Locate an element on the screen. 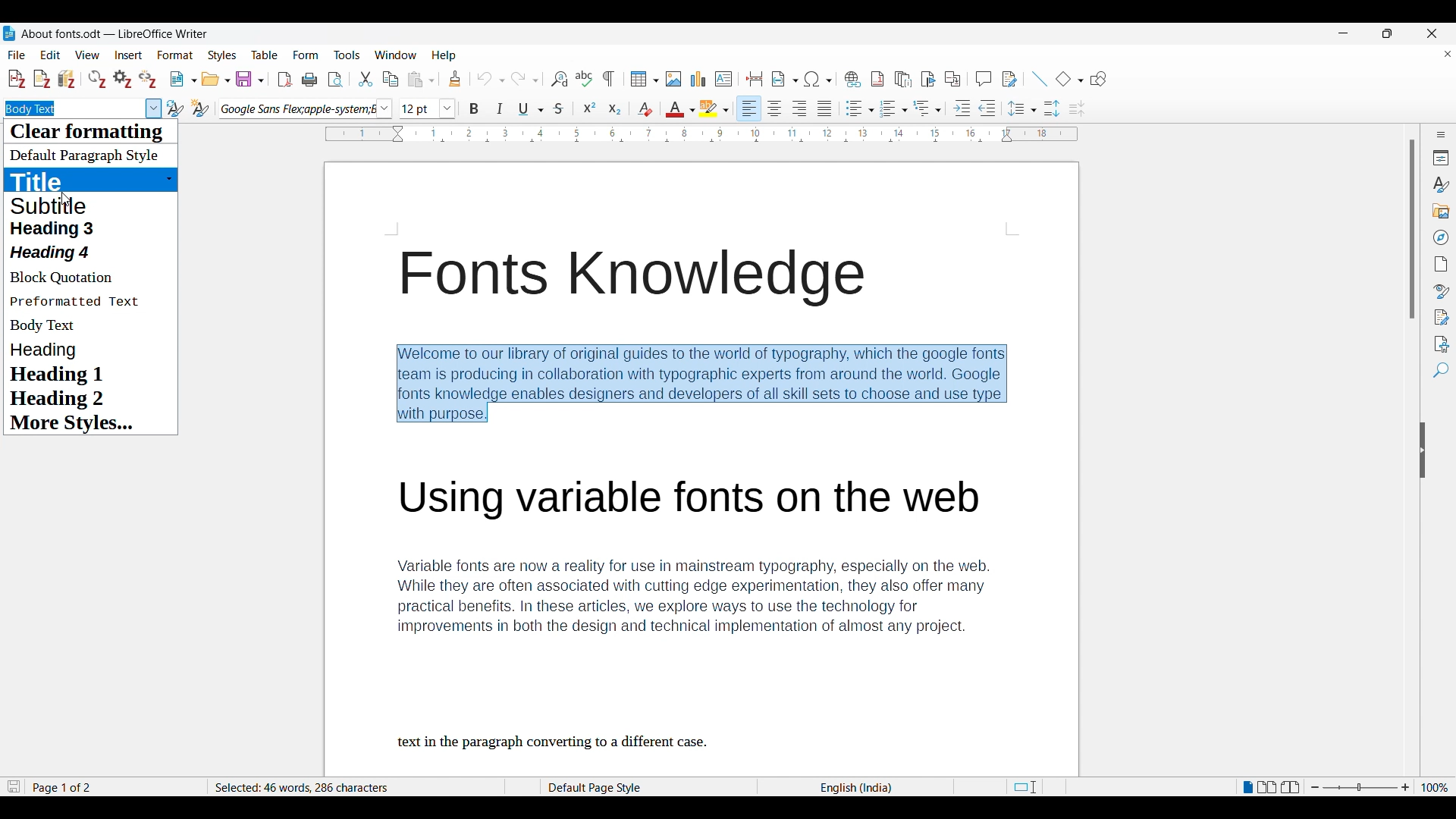  text in the paragraph converting to a different case. is located at coordinates (554, 742).